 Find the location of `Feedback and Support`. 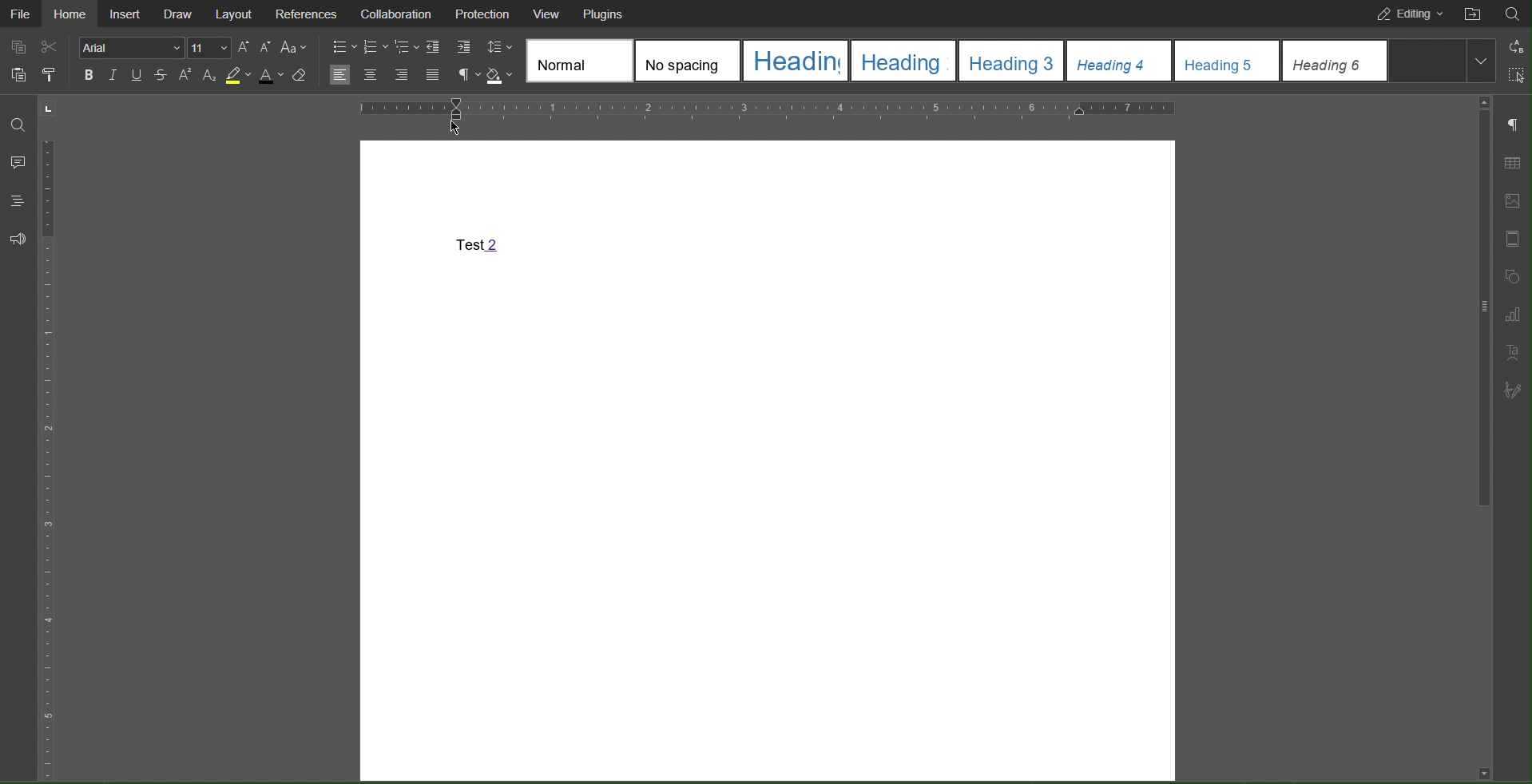

Feedback and Support is located at coordinates (18, 240).